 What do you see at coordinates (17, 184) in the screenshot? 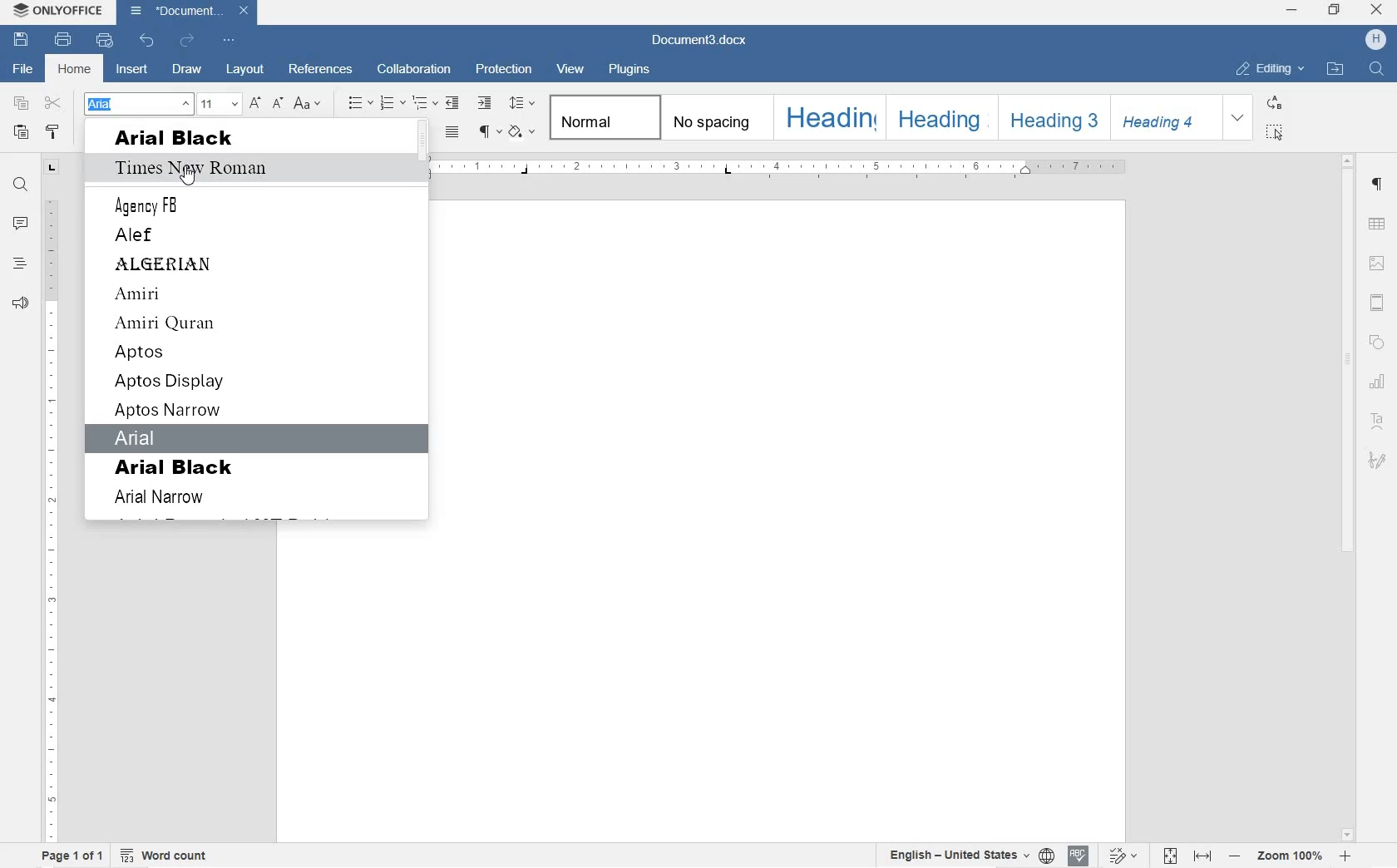
I see `FIND` at bounding box center [17, 184].